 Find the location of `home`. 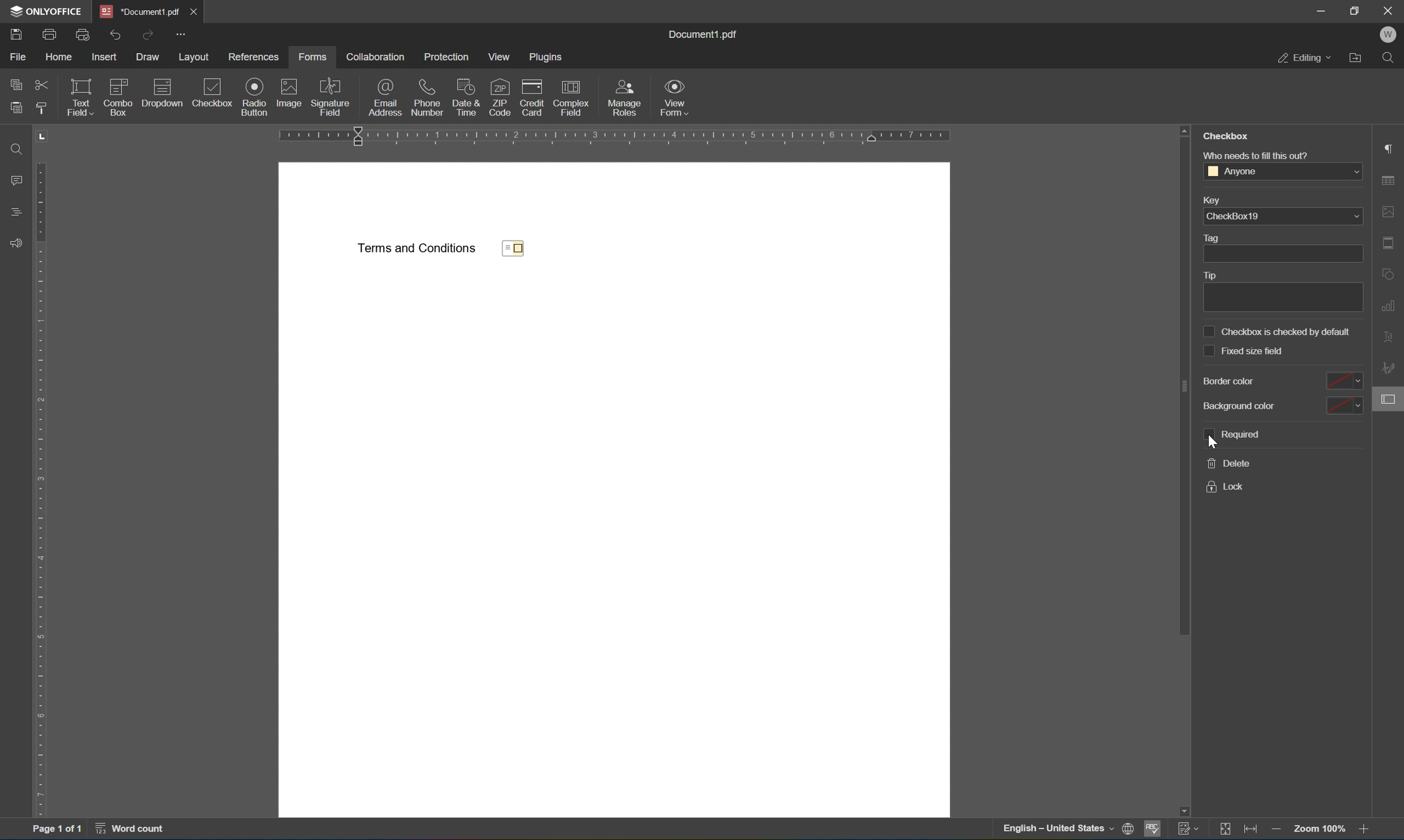

home is located at coordinates (59, 56).